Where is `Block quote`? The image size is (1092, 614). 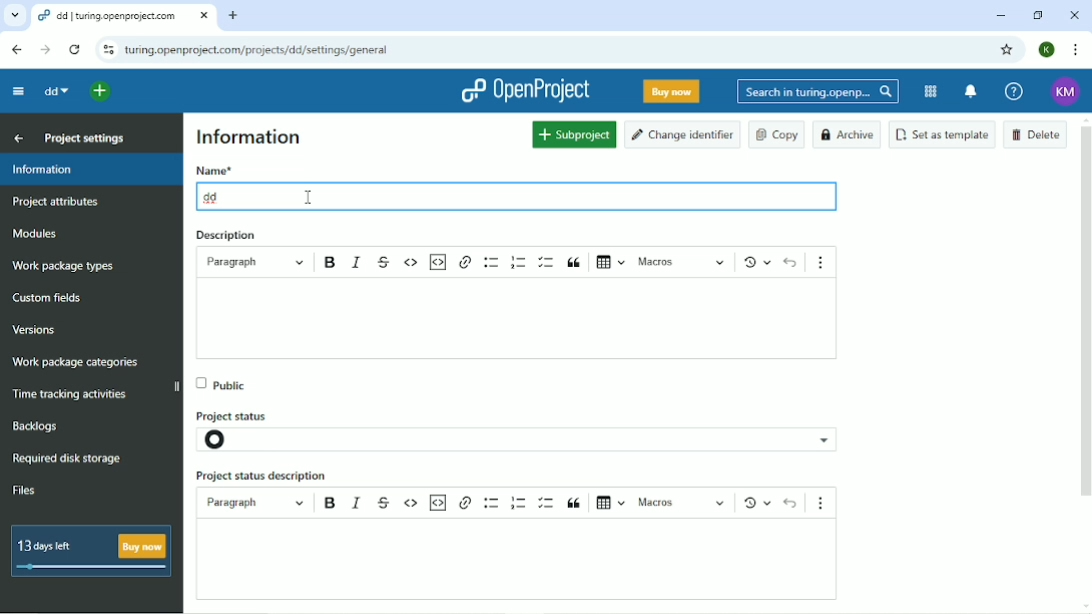 Block quote is located at coordinates (575, 263).